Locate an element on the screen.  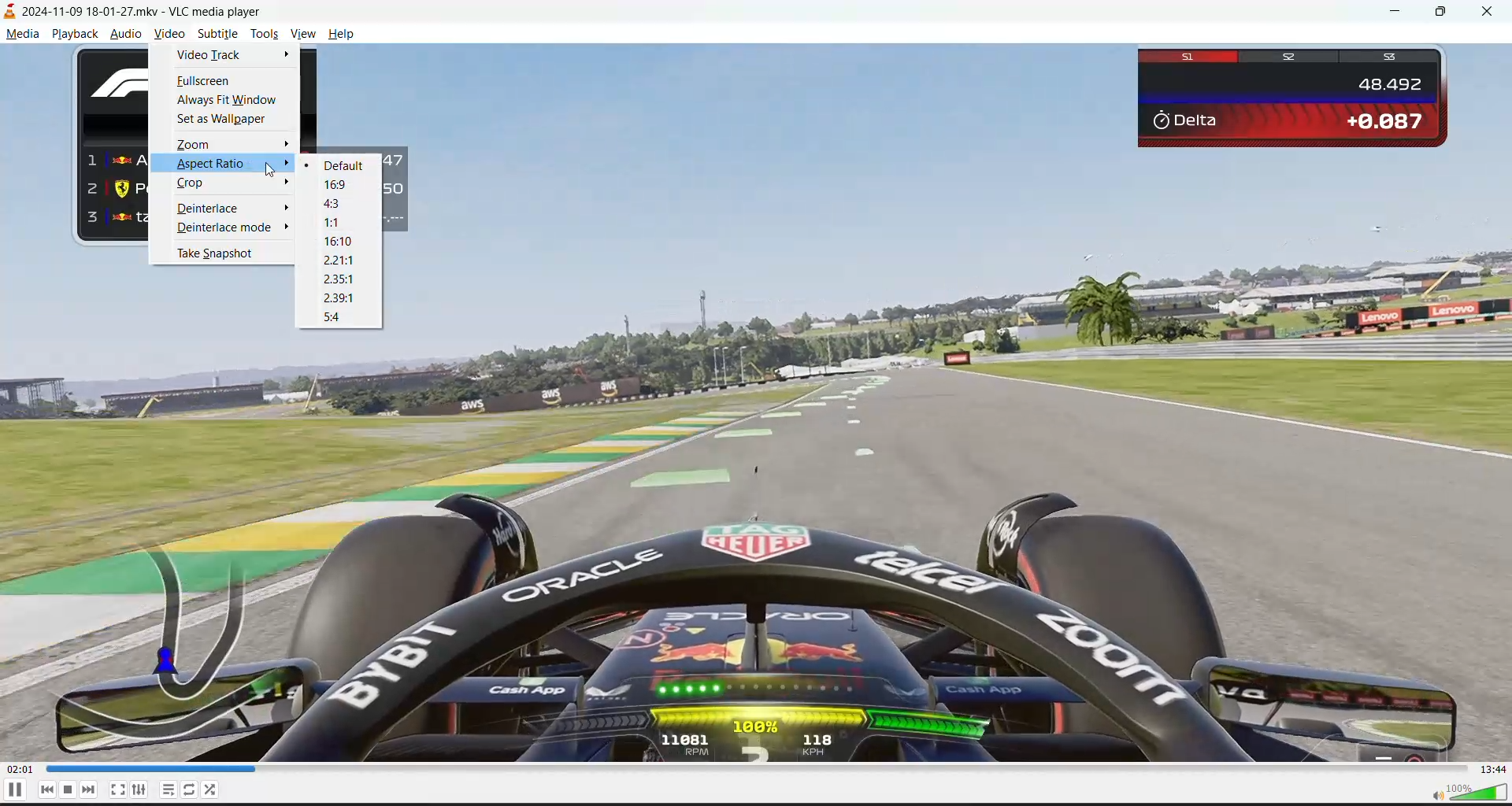
playback is located at coordinates (79, 33).